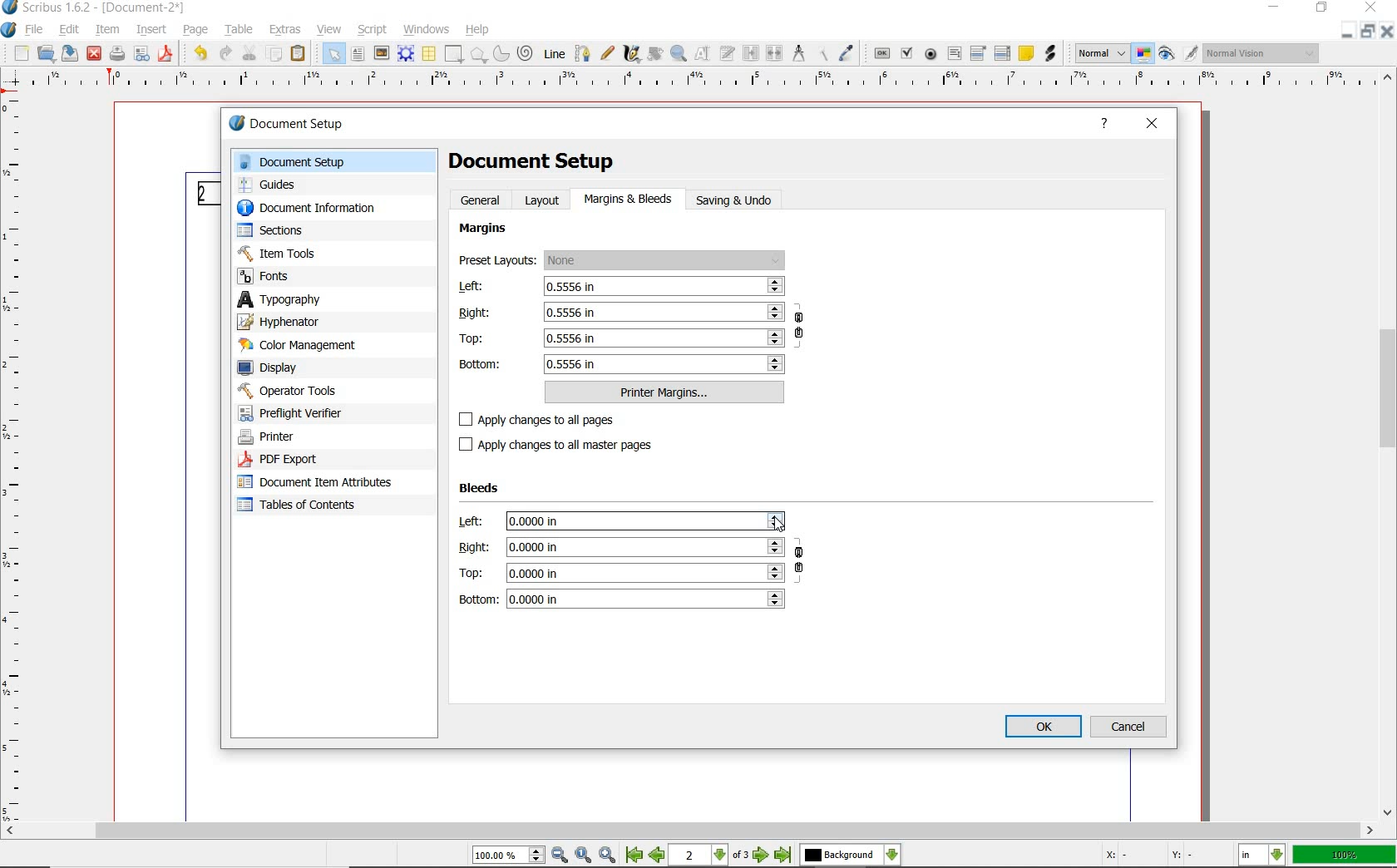 The height and width of the screenshot is (868, 1397). What do you see at coordinates (525, 52) in the screenshot?
I see `spiral` at bounding box center [525, 52].